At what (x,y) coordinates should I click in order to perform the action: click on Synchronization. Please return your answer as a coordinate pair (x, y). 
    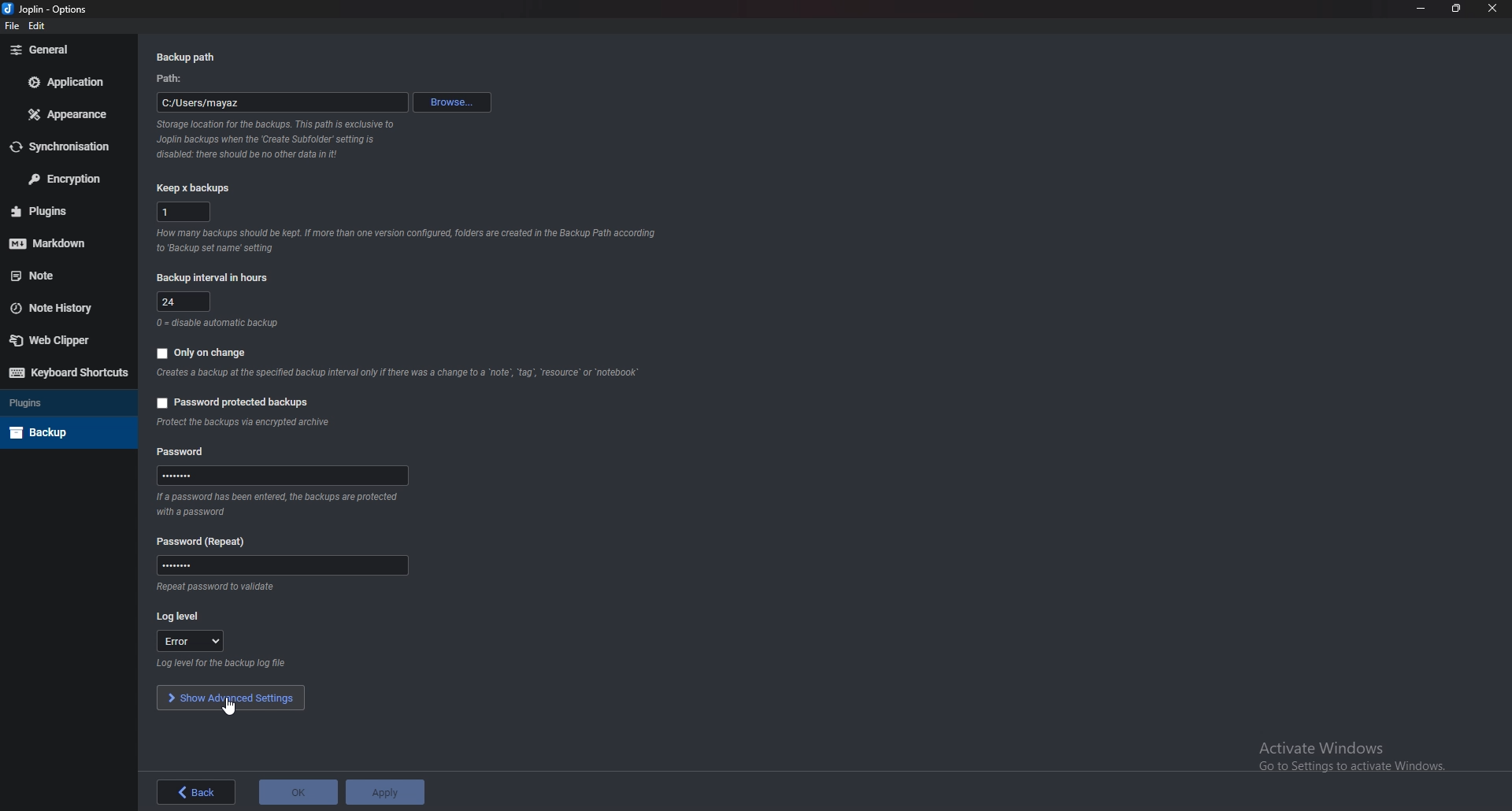
    Looking at the image, I should click on (62, 147).